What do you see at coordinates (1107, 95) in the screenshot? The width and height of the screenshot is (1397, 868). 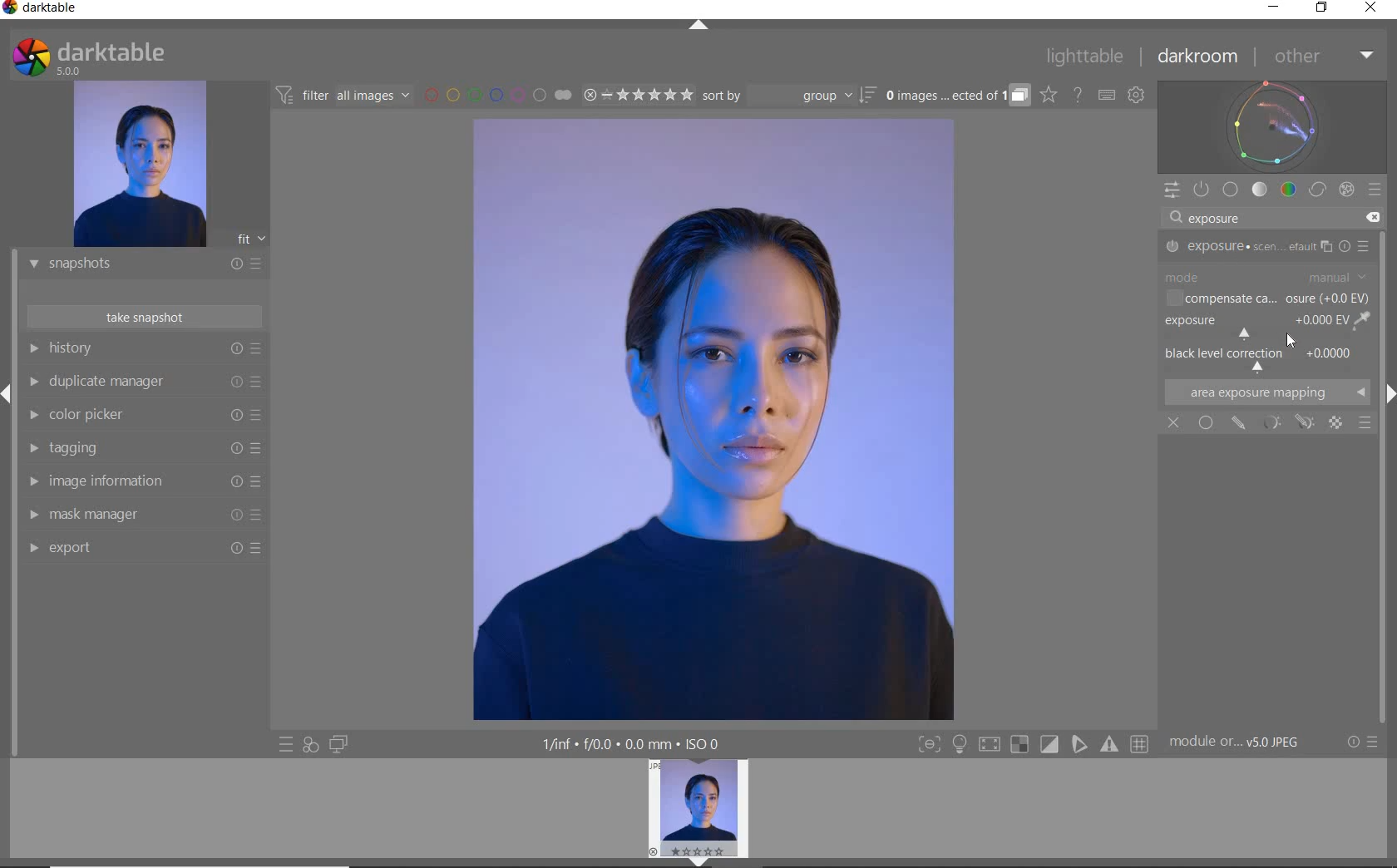 I see `SET KEYBOARD SHORTCUTS` at bounding box center [1107, 95].